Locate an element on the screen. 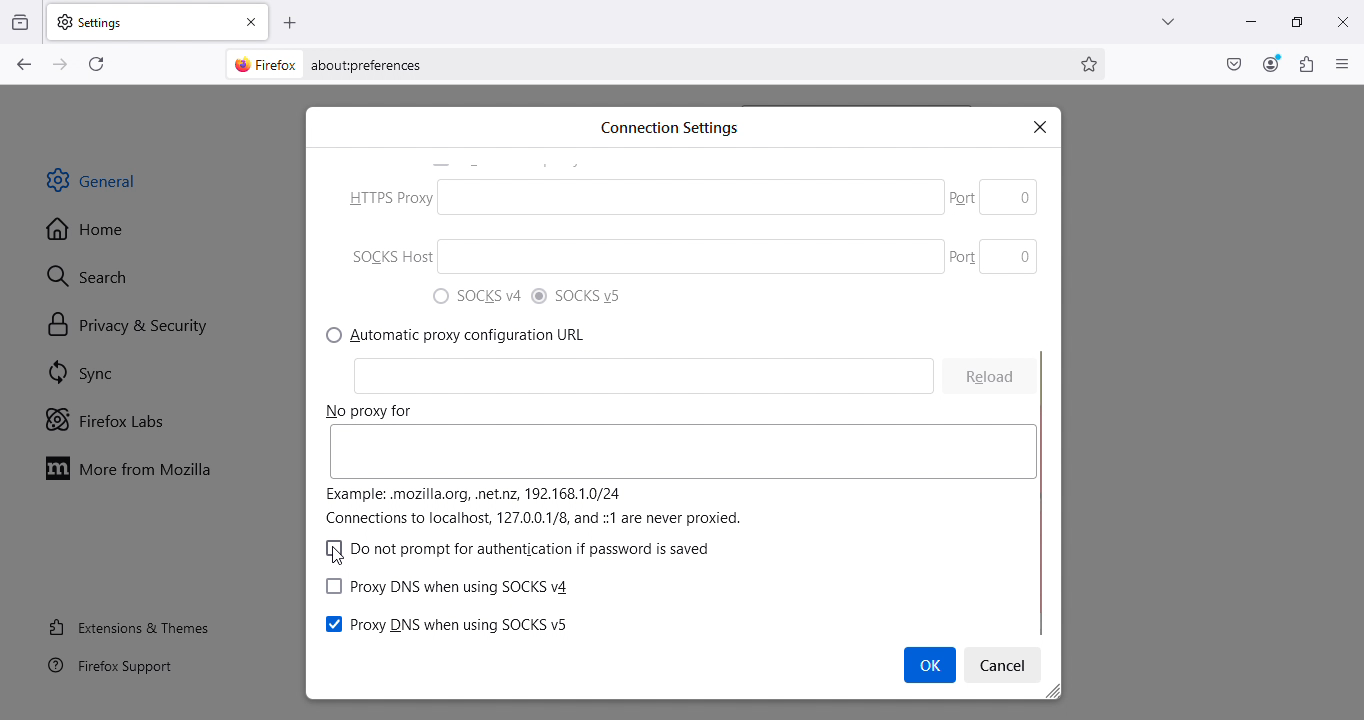 The height and width of the screenshot is (720, 1364). List all tabs is located at coordinates (1162, 21).